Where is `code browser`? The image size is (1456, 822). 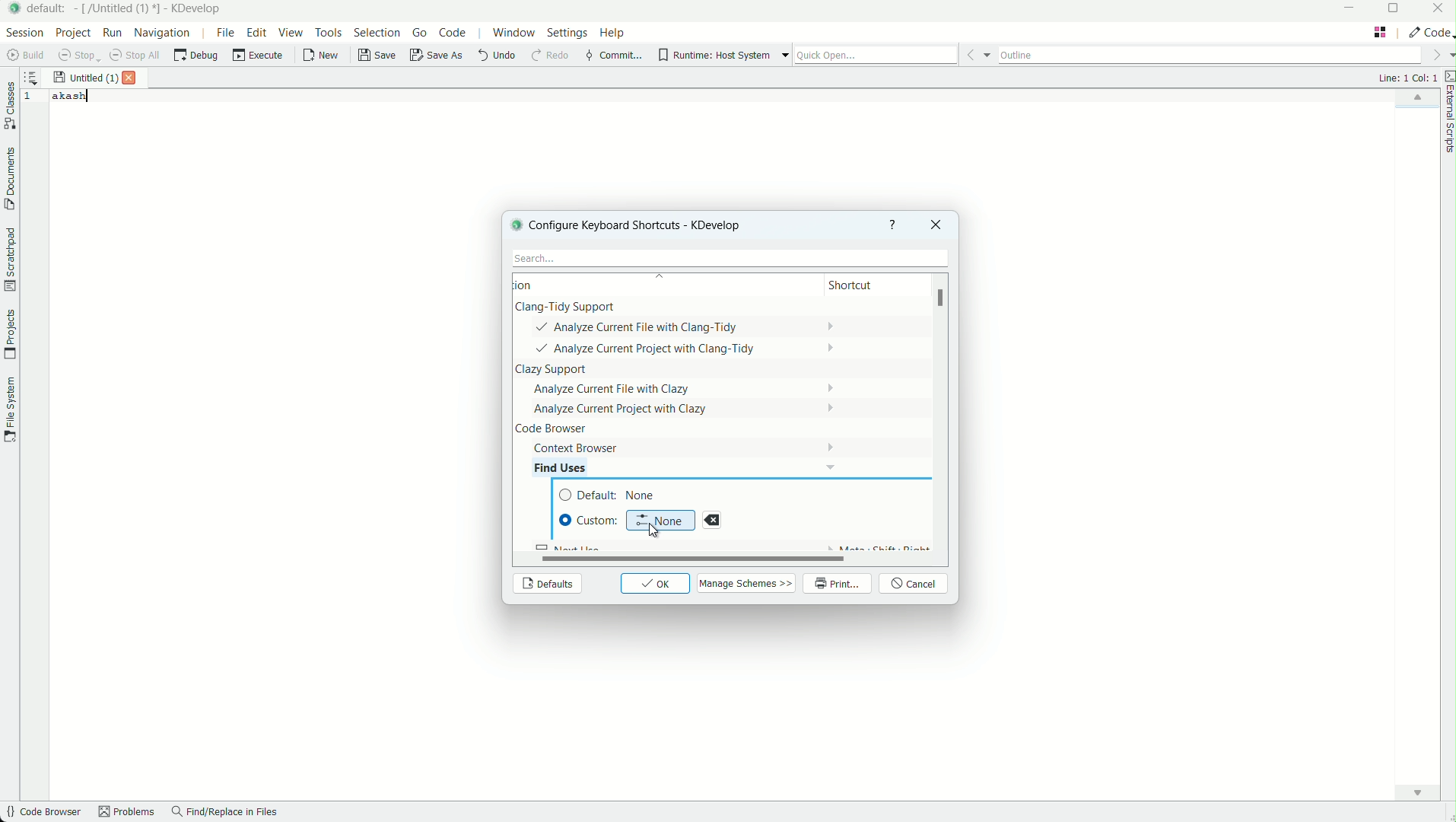 code browser is located at coordinates (42, 813).